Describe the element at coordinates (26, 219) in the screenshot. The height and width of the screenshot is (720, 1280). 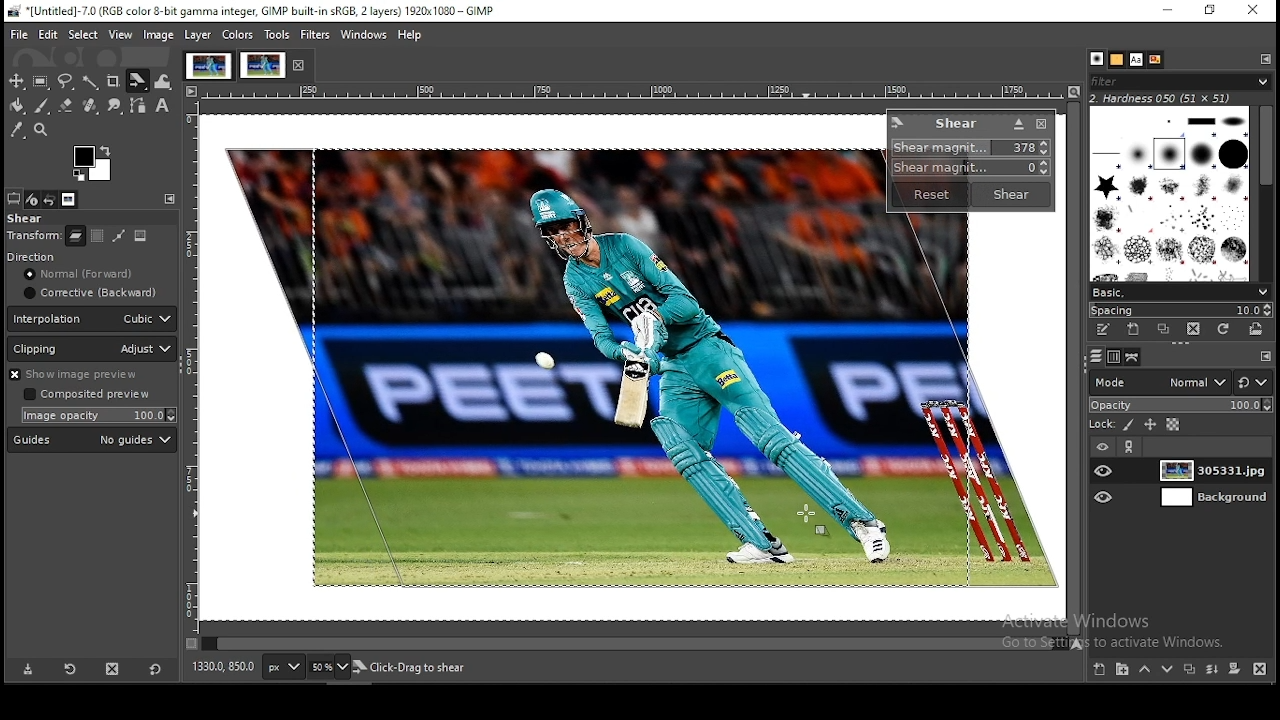
I see `shear` at that location.